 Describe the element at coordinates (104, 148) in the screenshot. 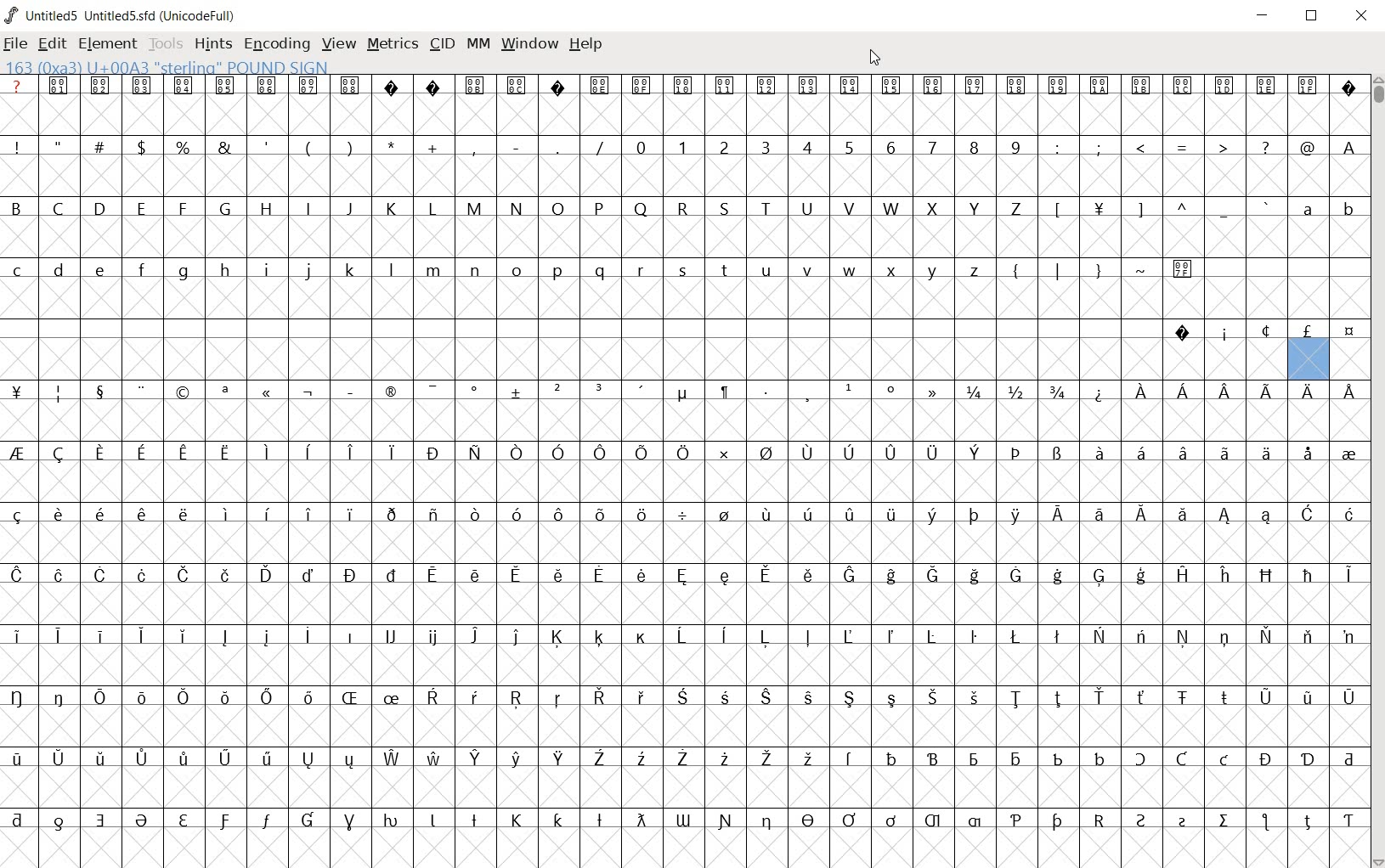

I see `#` at that location.